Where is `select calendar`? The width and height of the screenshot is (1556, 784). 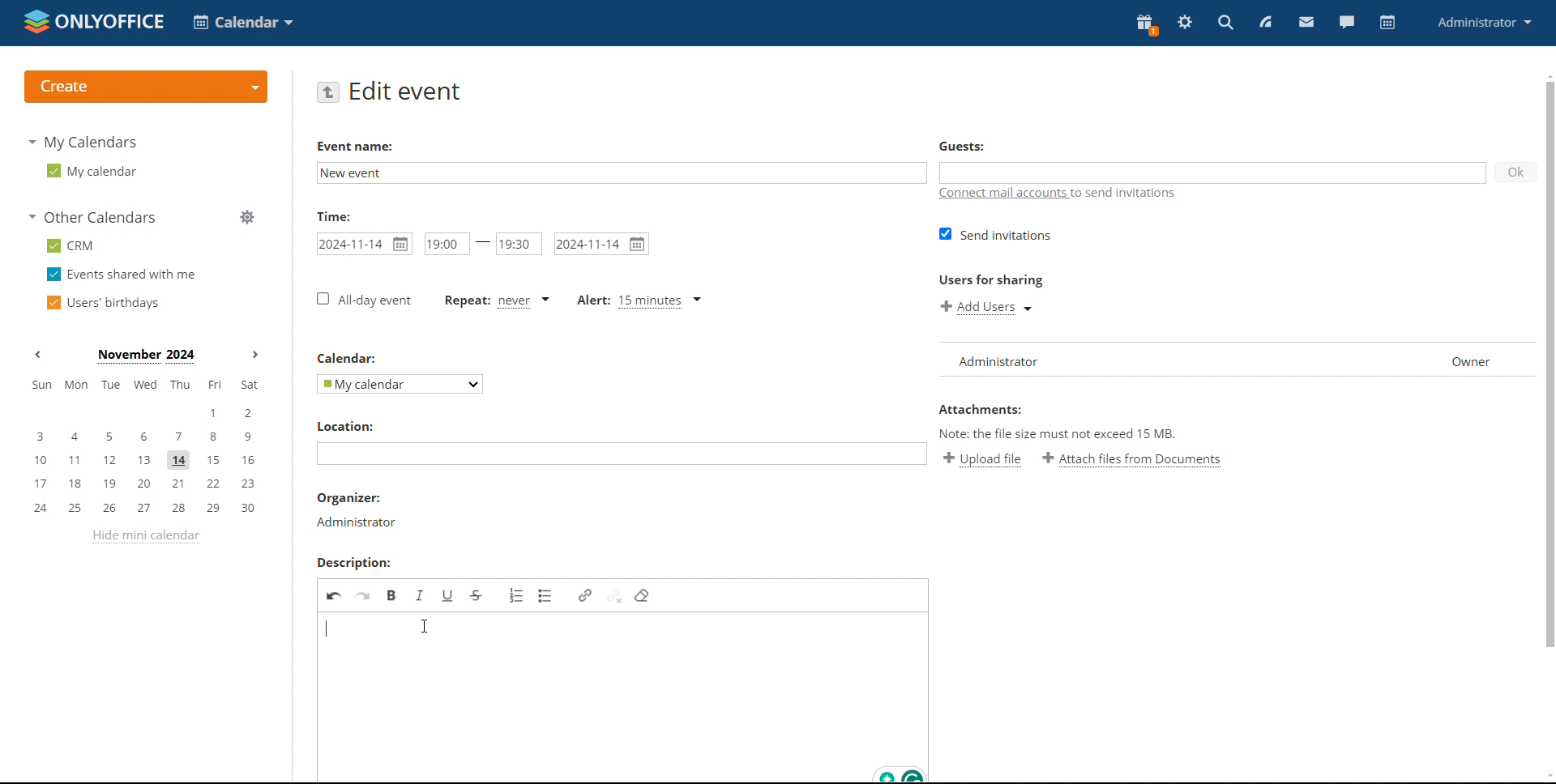 select calendar is located at coordinates (401, 384).